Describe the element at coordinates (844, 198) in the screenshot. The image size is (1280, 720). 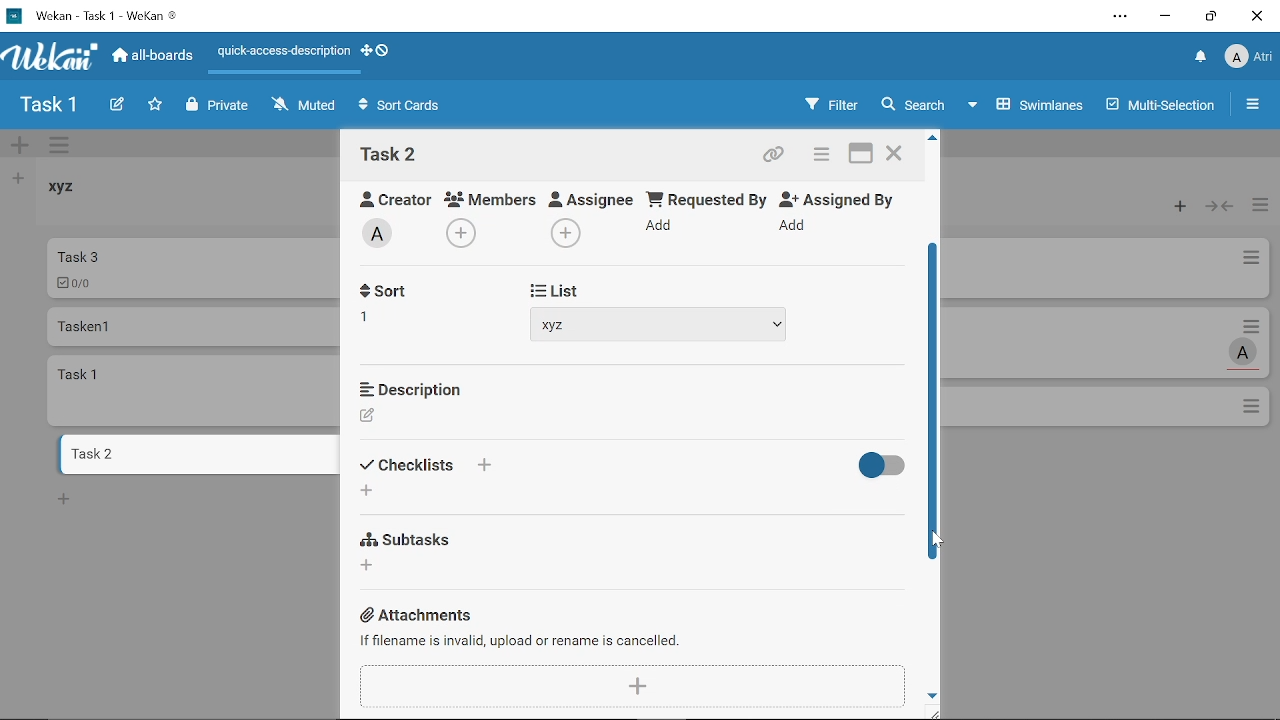
I see `Assigned By` at that location.